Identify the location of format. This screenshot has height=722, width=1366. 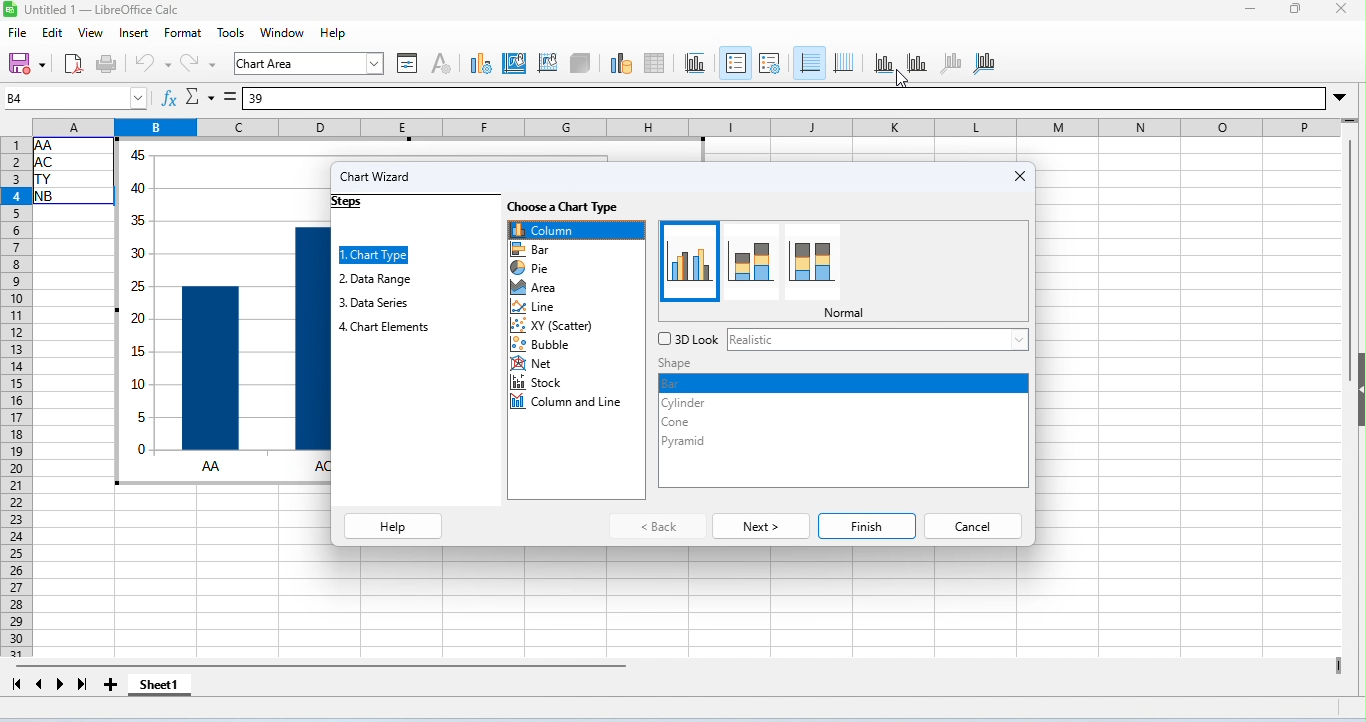
(182, 35).